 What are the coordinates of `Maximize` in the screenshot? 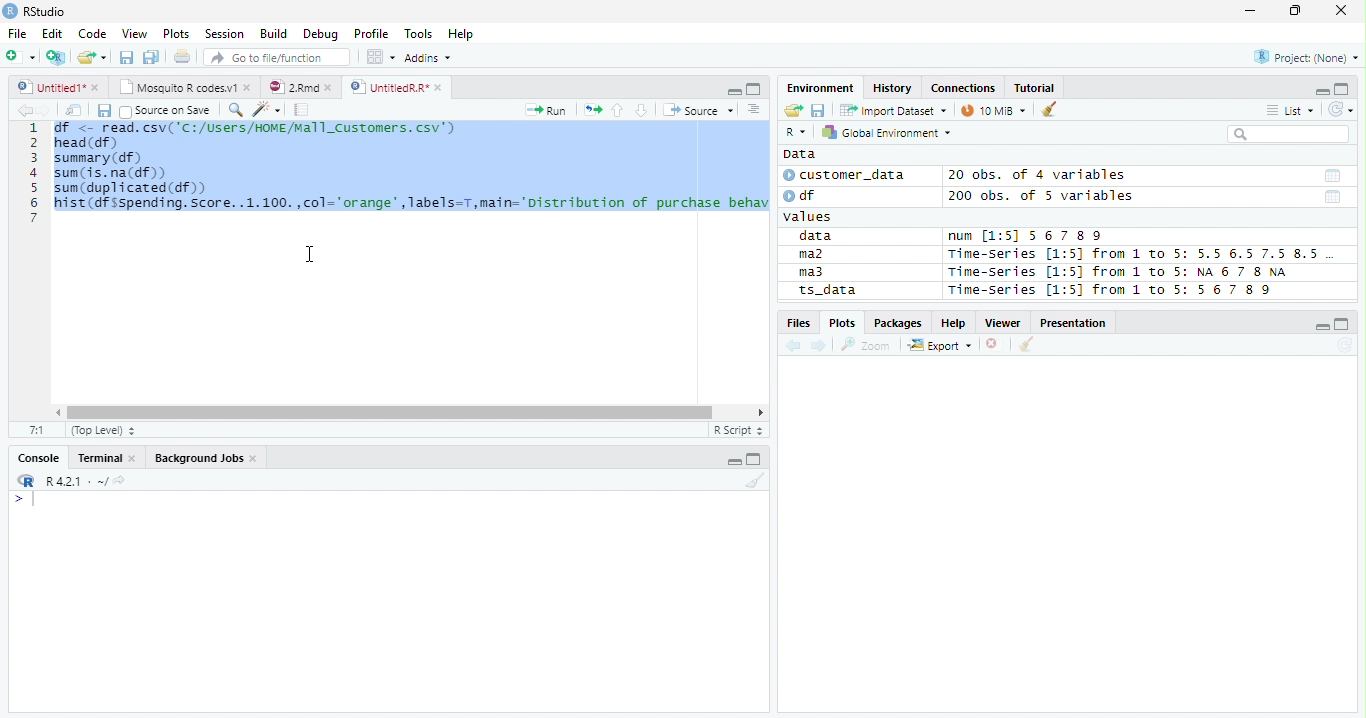 It's located at (1343, 89).